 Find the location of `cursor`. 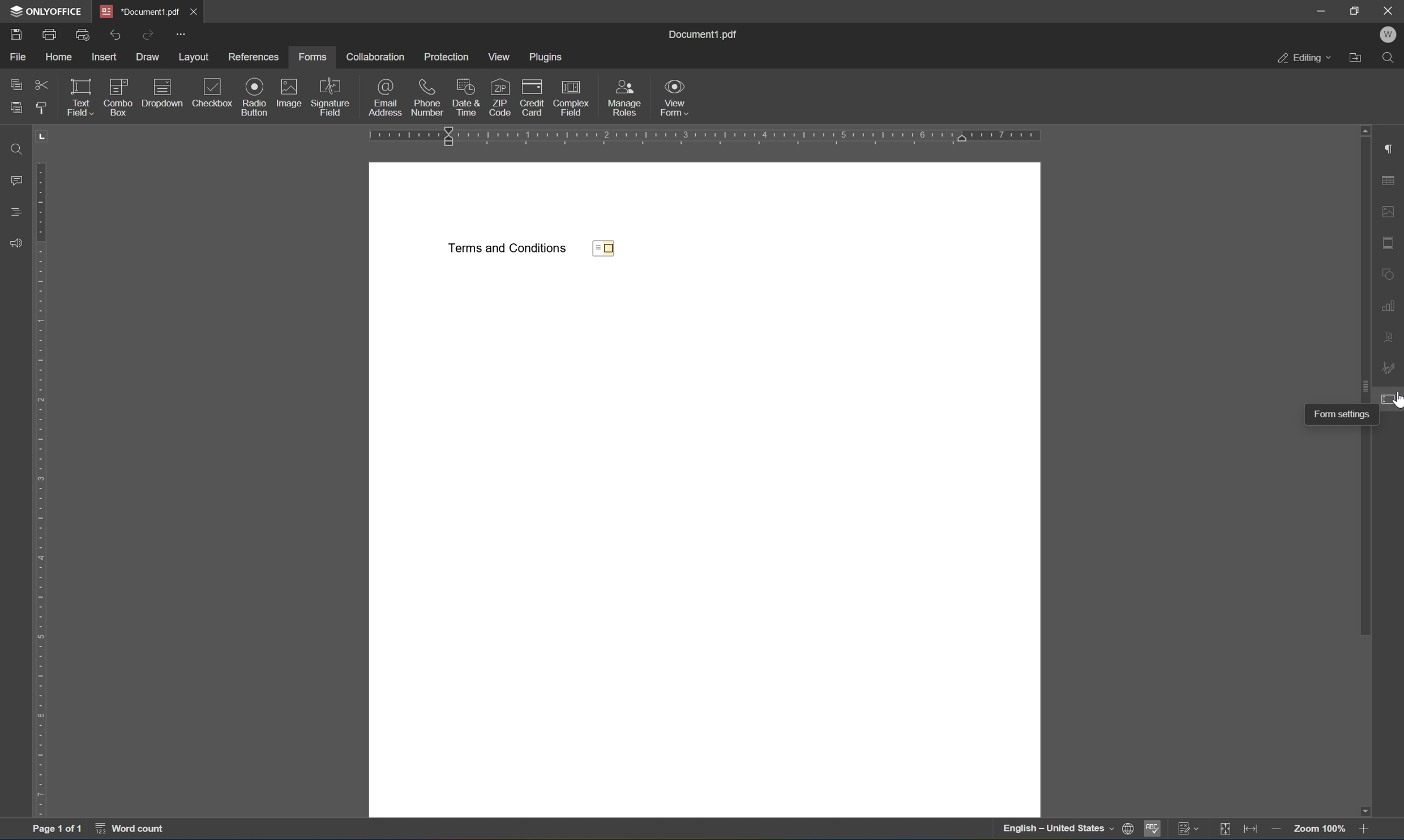

cursor is located at coordinates (1395, 398).